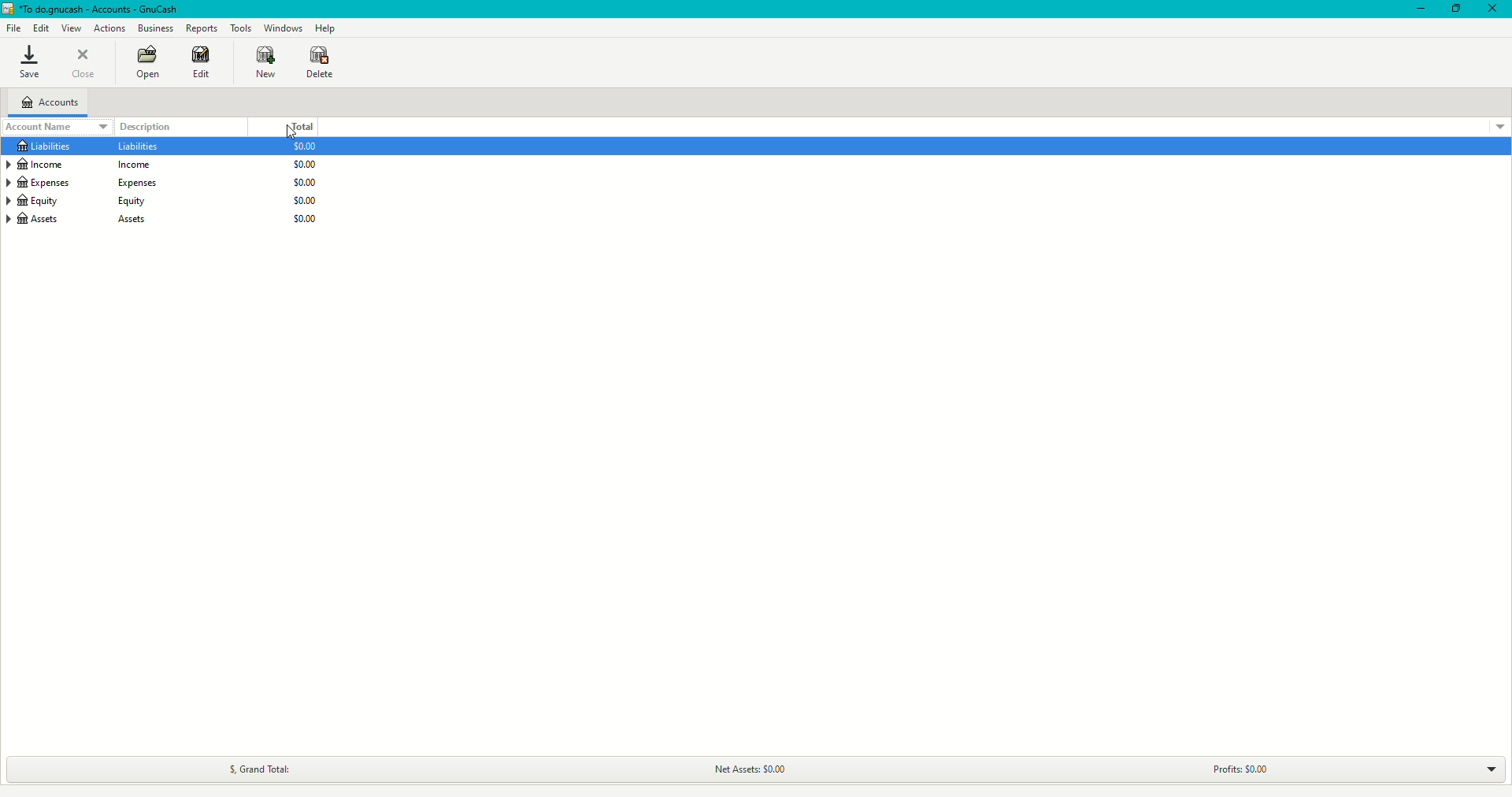 The height and width of the screenshot is (797, 1512). What do you see at coordinates (88, 60) in the screenshot?
I see `Close` at bounding box center [88, 60].